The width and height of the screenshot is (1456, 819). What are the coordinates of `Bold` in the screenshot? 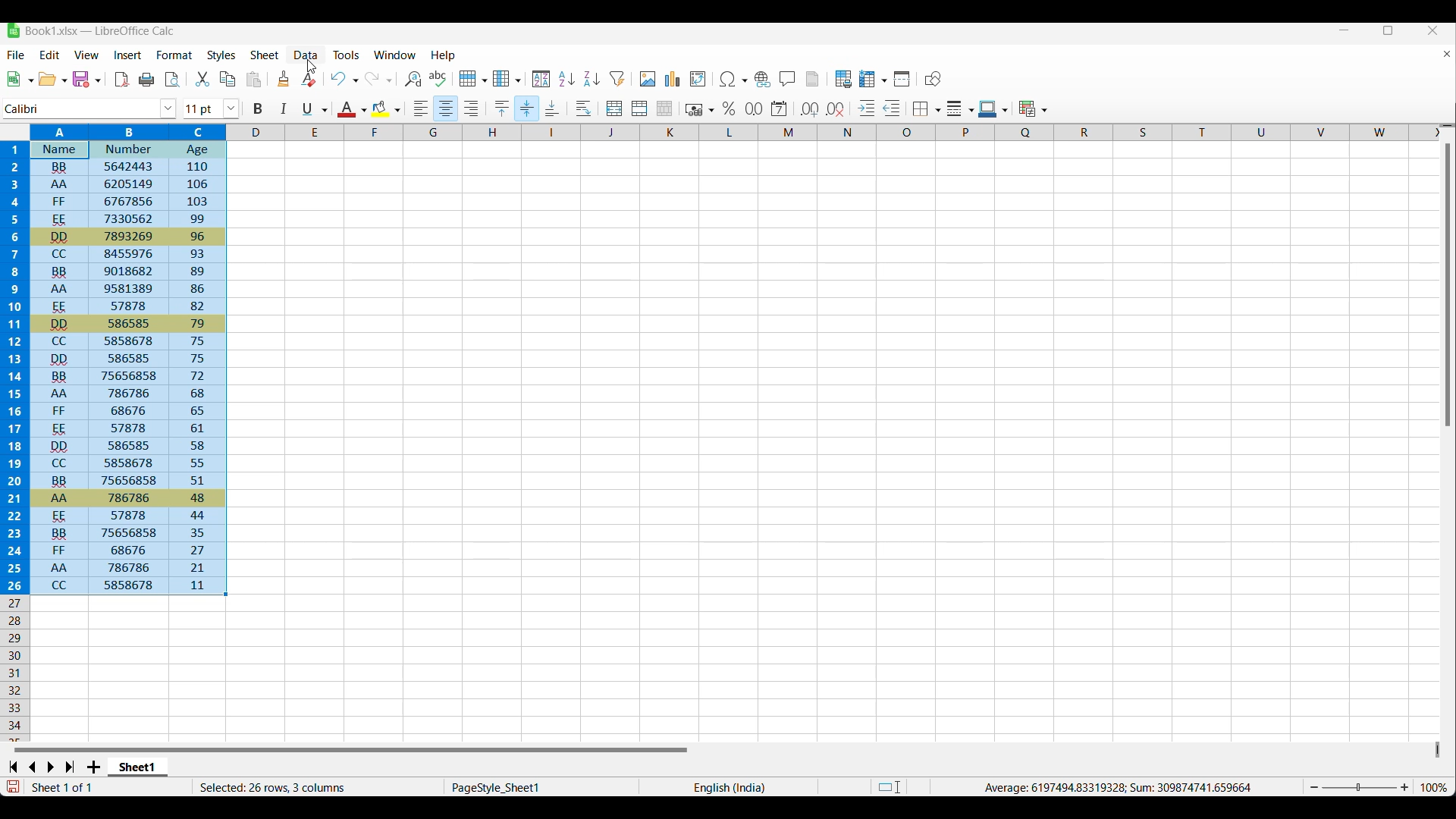 It's located at (258, 109).